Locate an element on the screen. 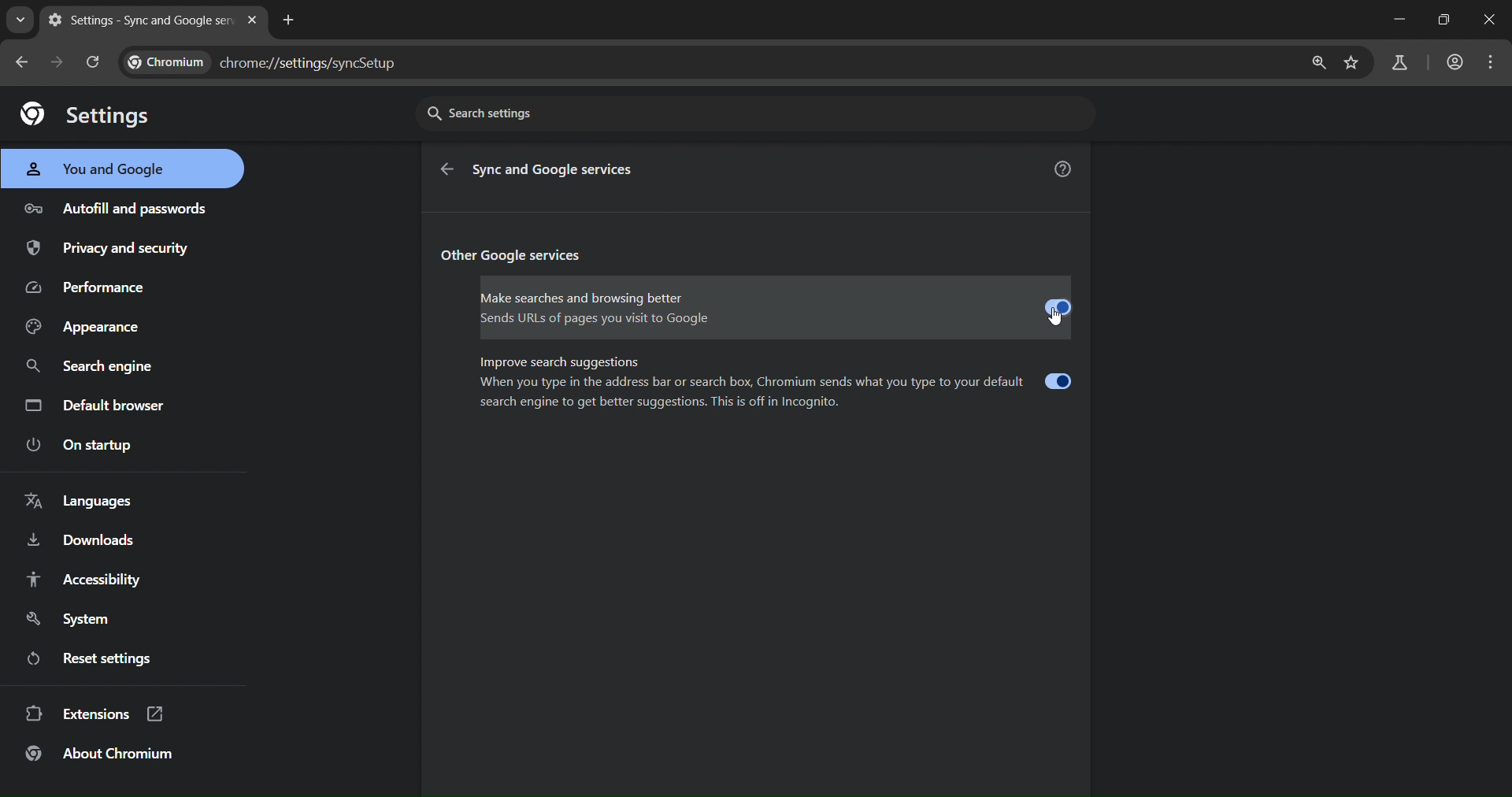  help is located at coordinates (1062, 170).